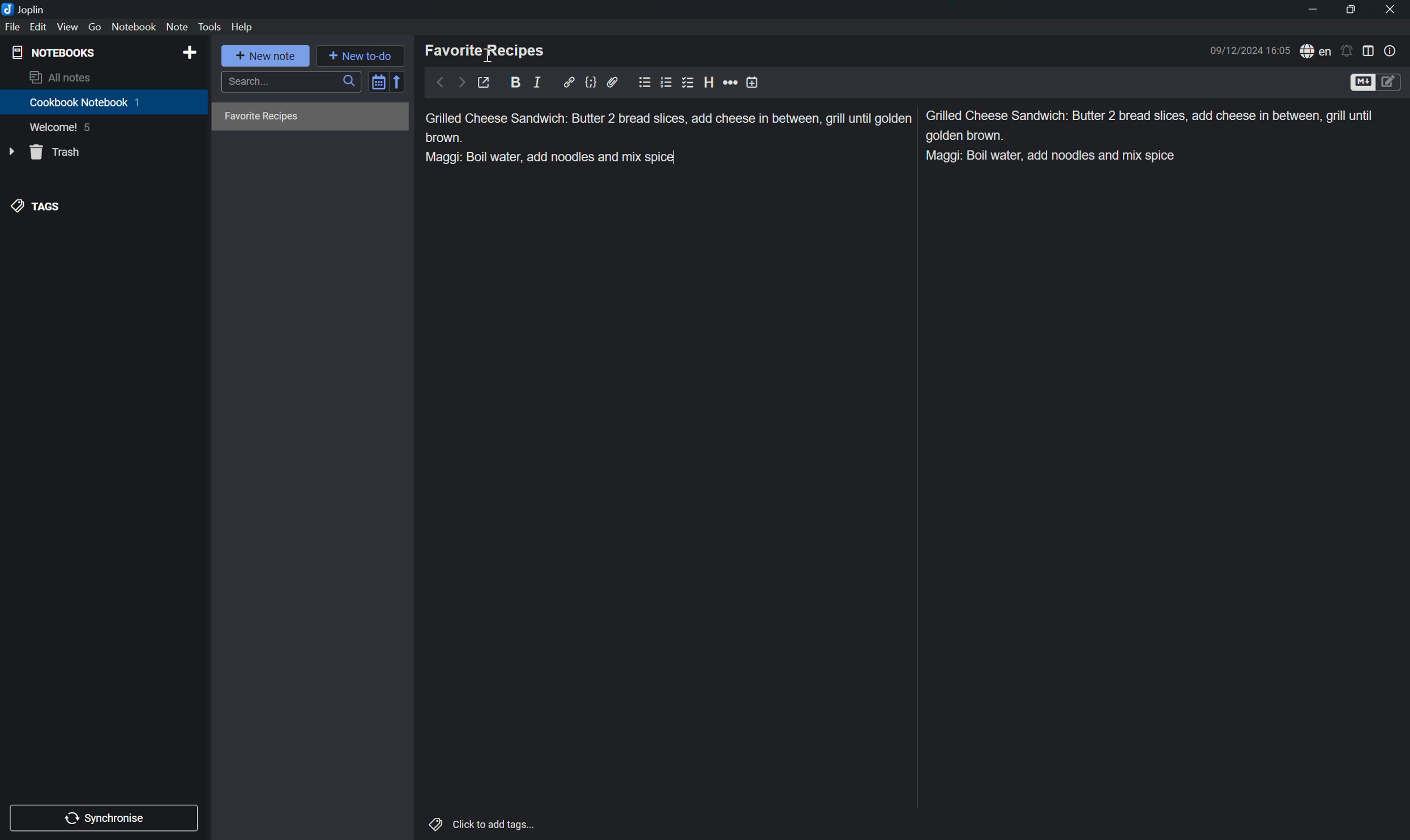 The width and height of the screenshot is (1410, 840). What do you see at coordinates (665, 81) in the screenshot?
I see `Numbered list` at bounding box center [665, 81].